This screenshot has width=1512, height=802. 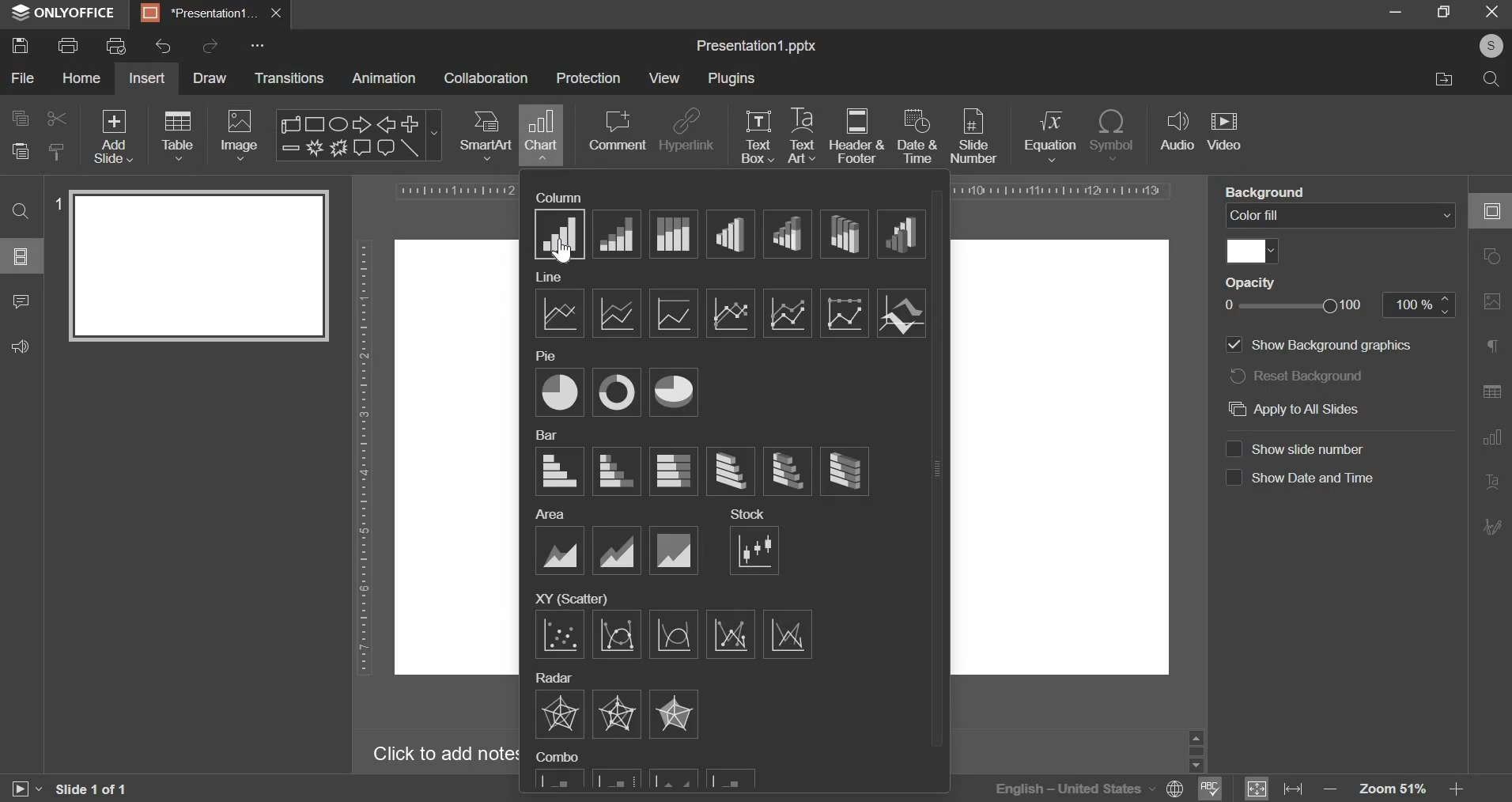 I want to click on table settings, so click(x=1489, y=394).